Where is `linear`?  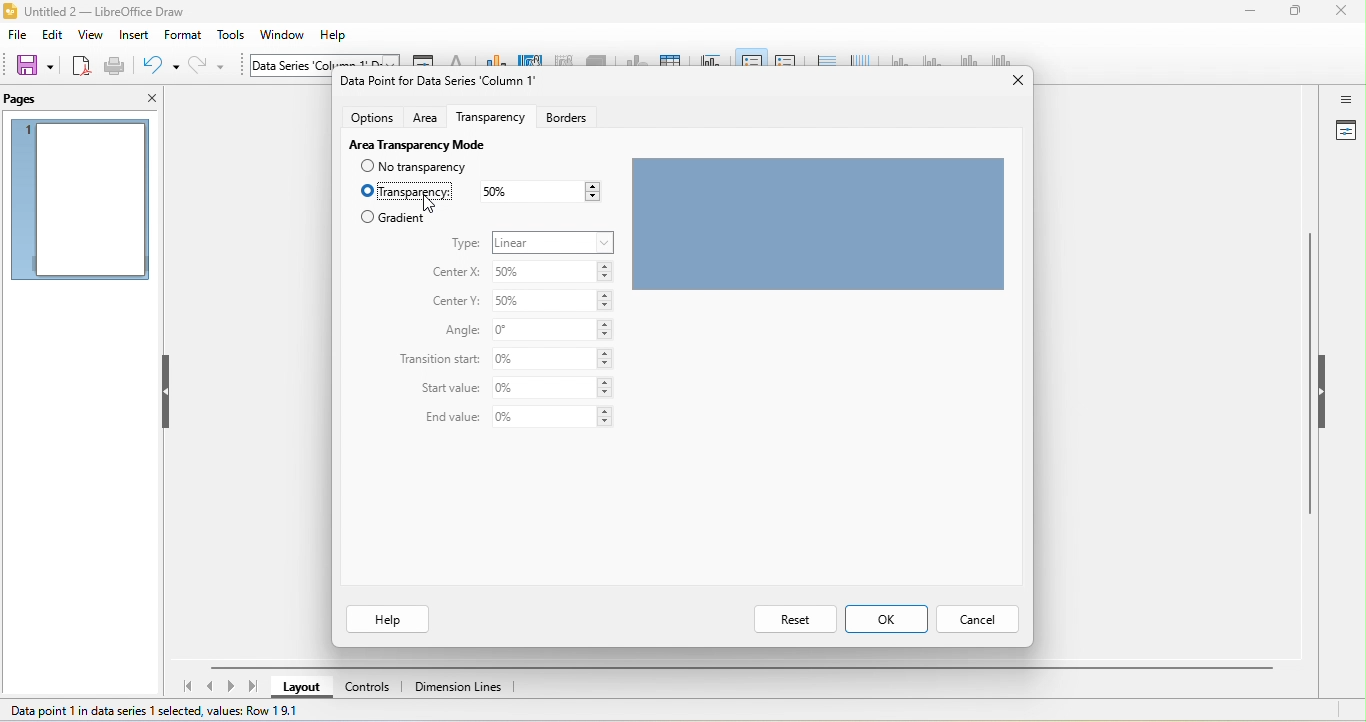
linear is located at coordinates (552, 241).